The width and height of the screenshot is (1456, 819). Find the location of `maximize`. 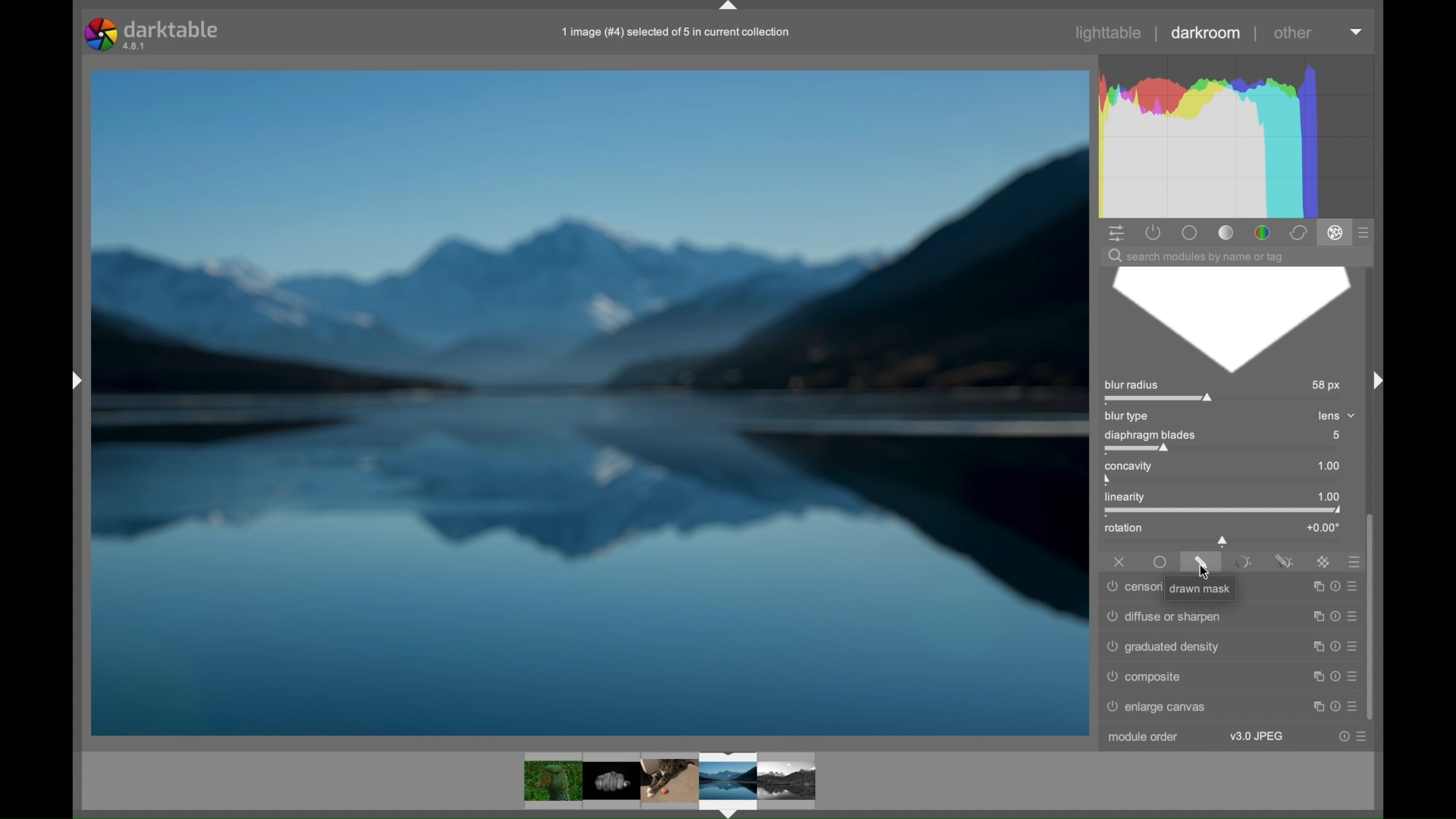

maximize is located at coordinates (1313, 644).